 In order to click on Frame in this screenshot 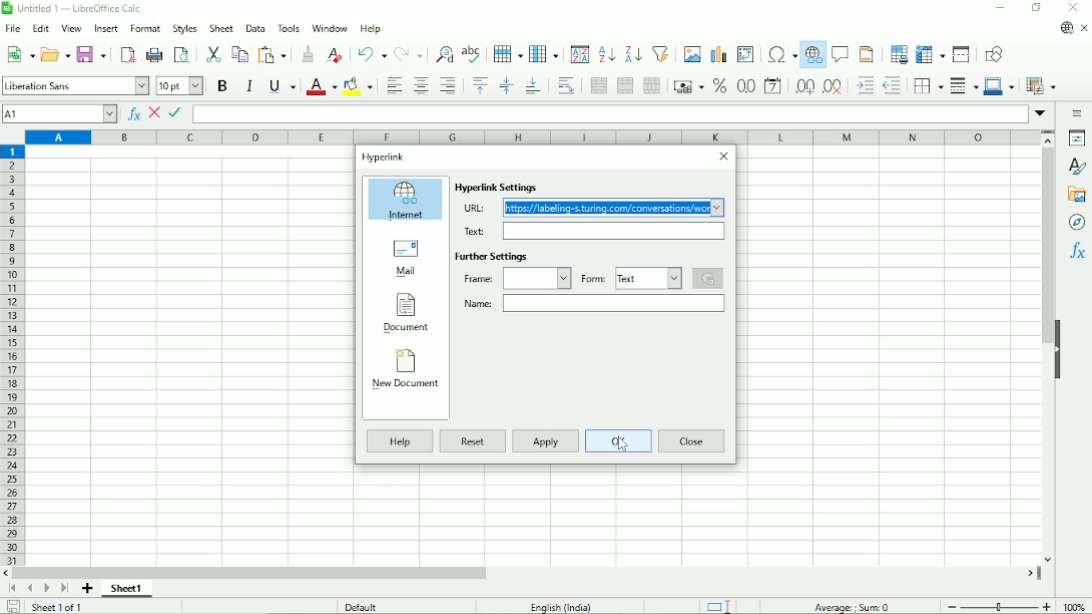, I will do `click(477, 278)`.